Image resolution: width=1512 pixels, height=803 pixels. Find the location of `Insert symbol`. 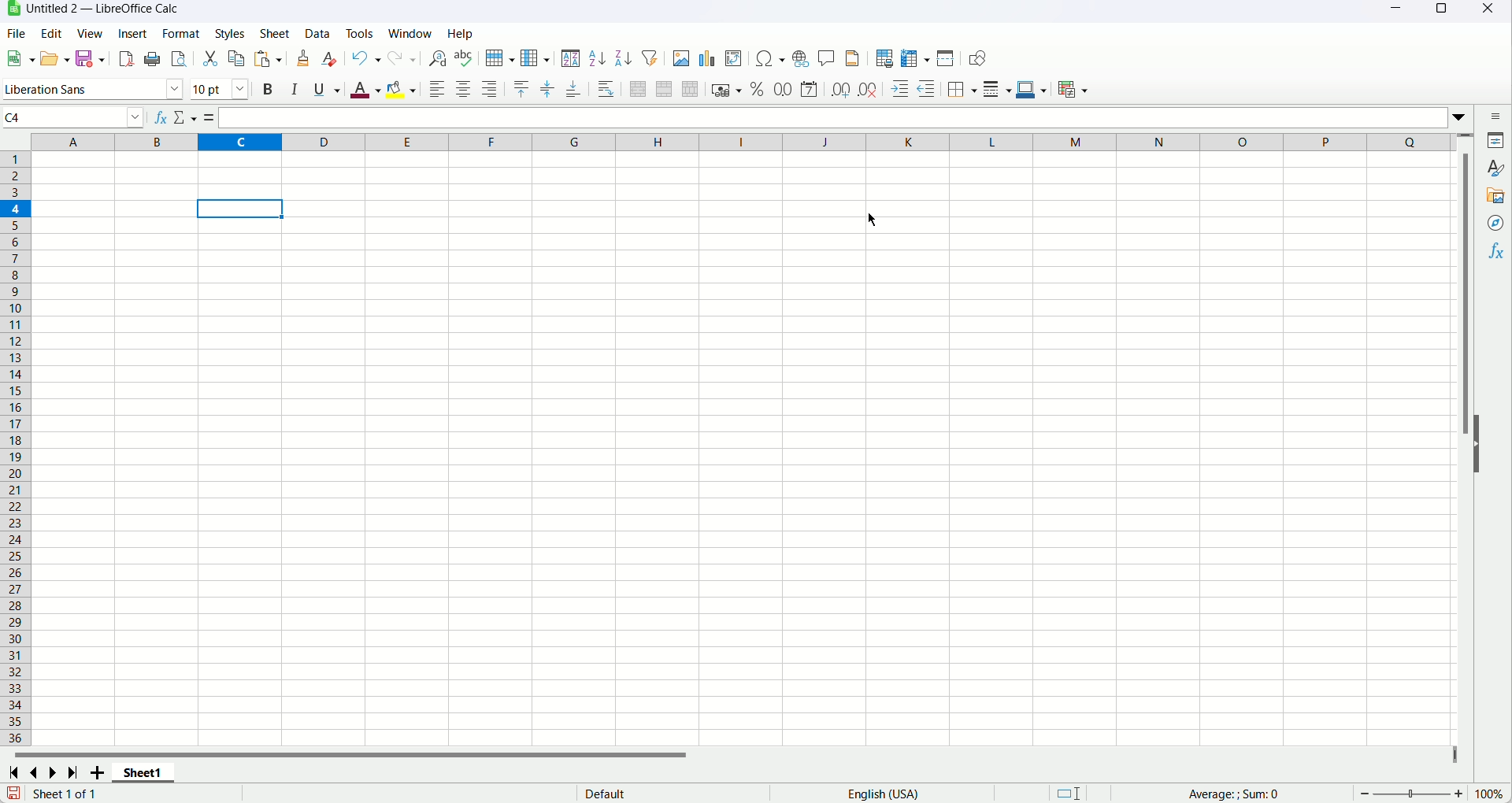

Insert symbol is located at coordinates (772, 57).